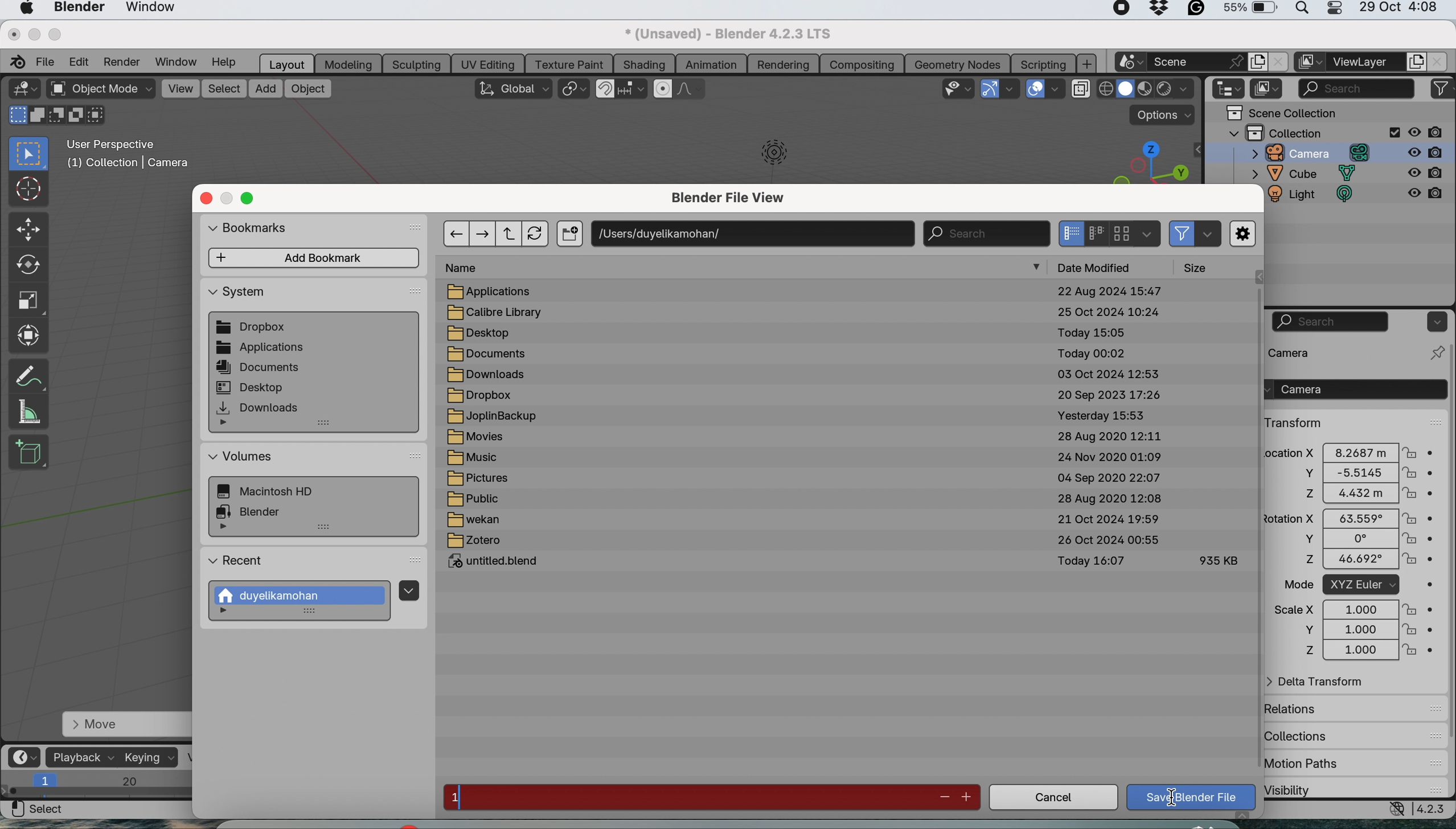 The height and width of the screenshot is (829, 1456). I want to click on editor type, so click(23, 88).